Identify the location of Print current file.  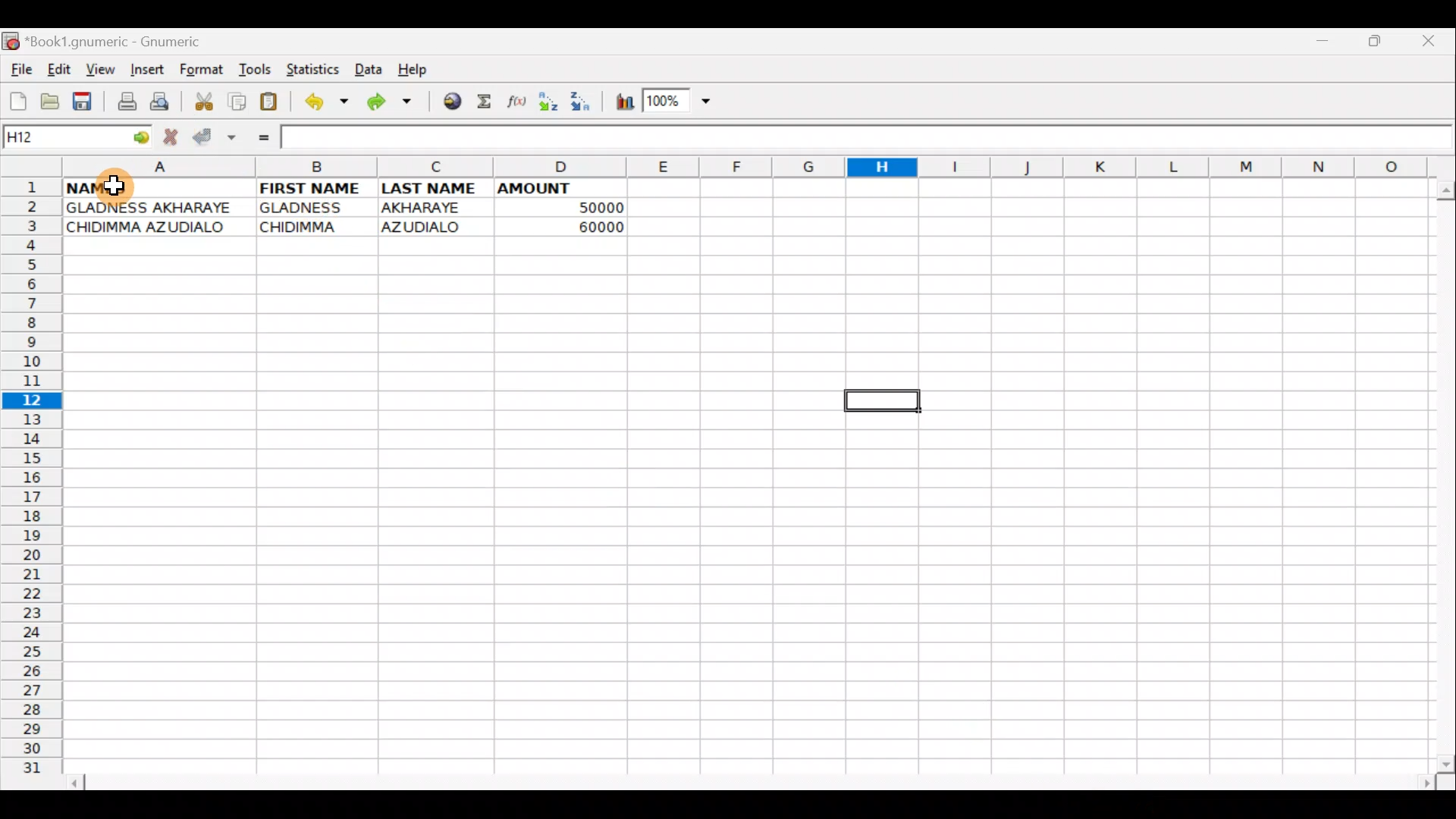
(128, 99).